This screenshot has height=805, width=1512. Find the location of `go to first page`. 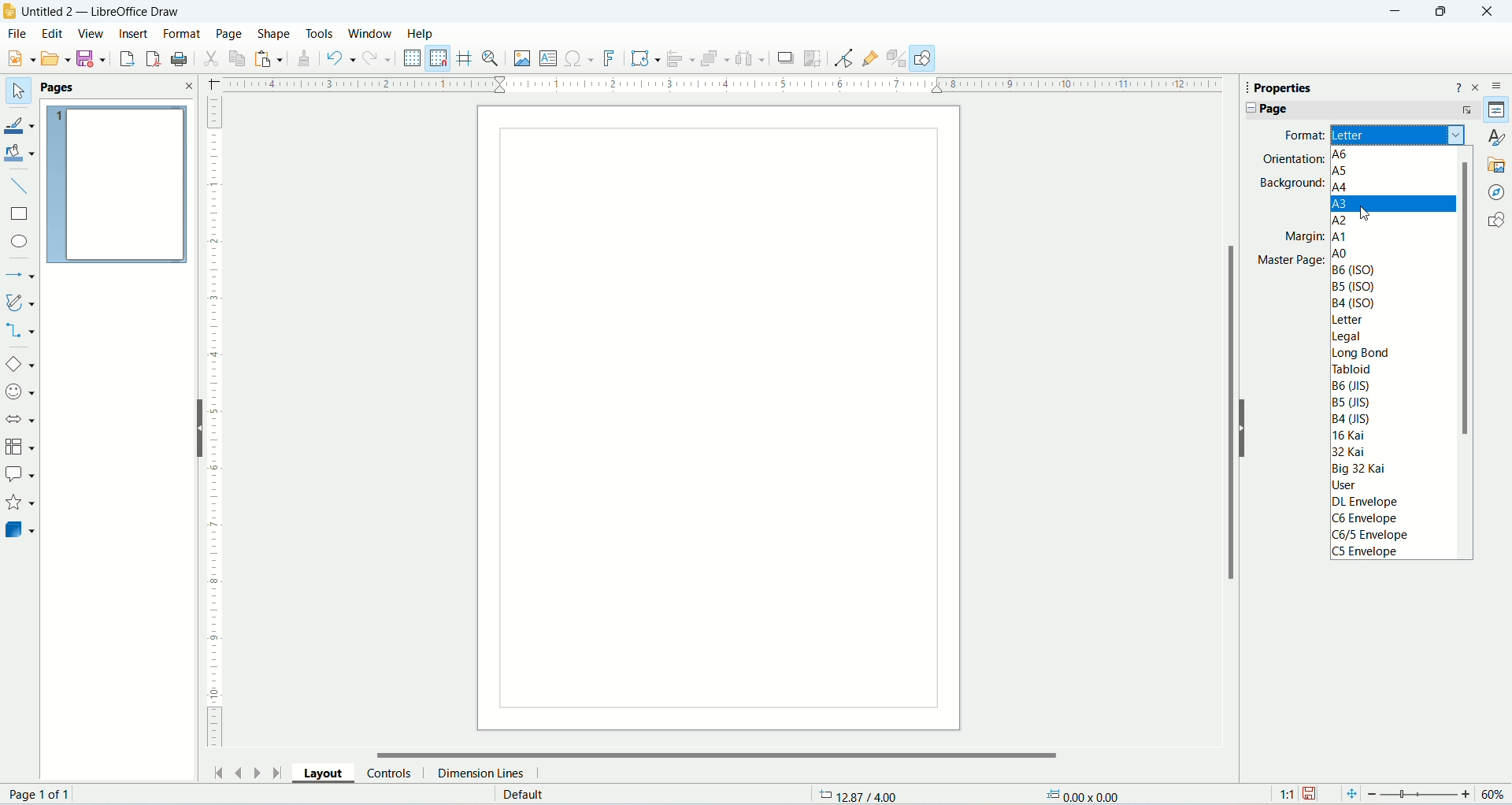

go to first page is located at coordinates (220, 772).